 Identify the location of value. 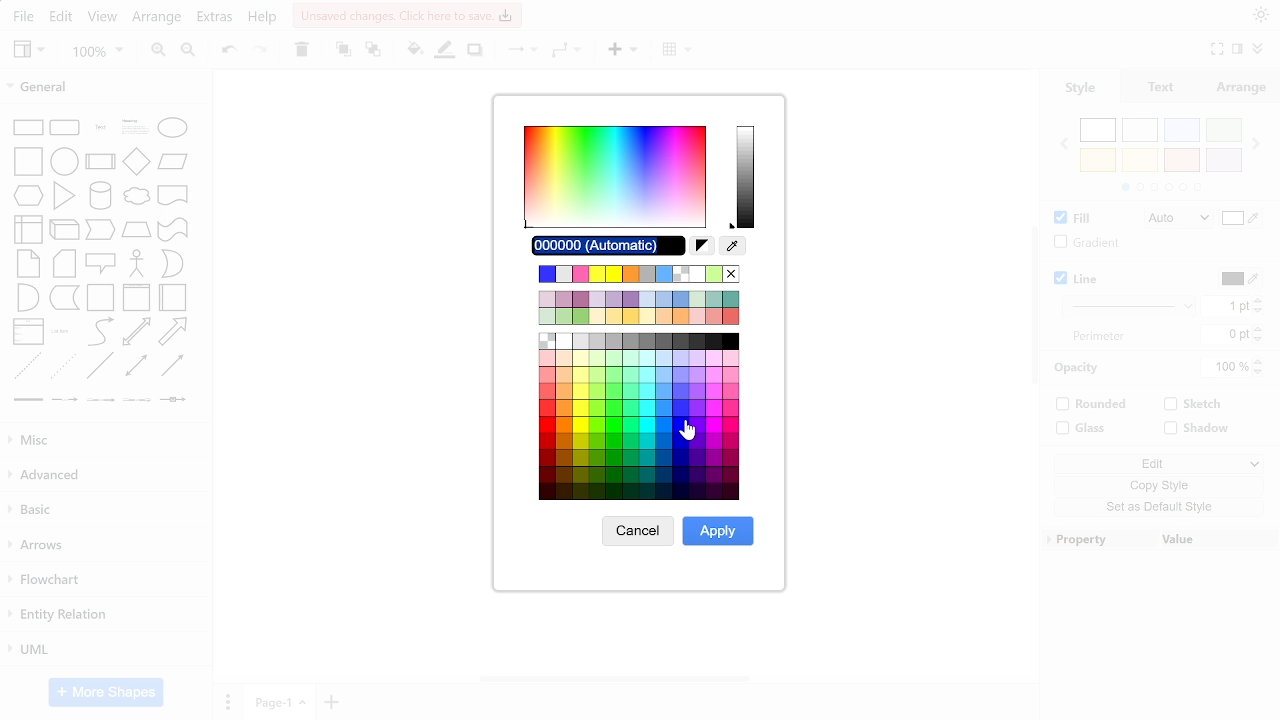
(1218, 538).